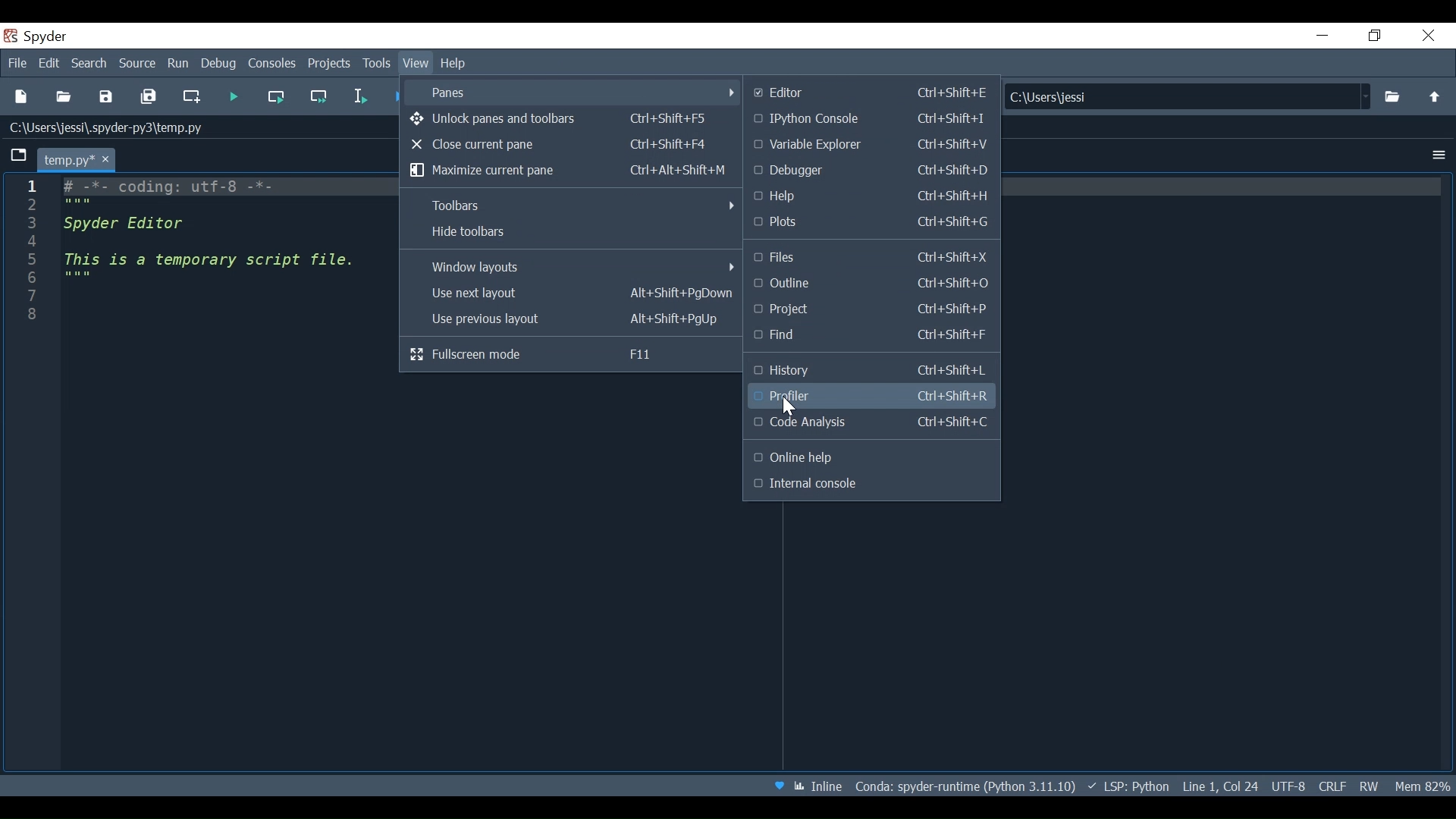 The height and width of the screenshot is (819, 1456). What do you see at coordinates (75, 158) in the screenshot?
I see `Current tab` at bounding box center [75, 158].